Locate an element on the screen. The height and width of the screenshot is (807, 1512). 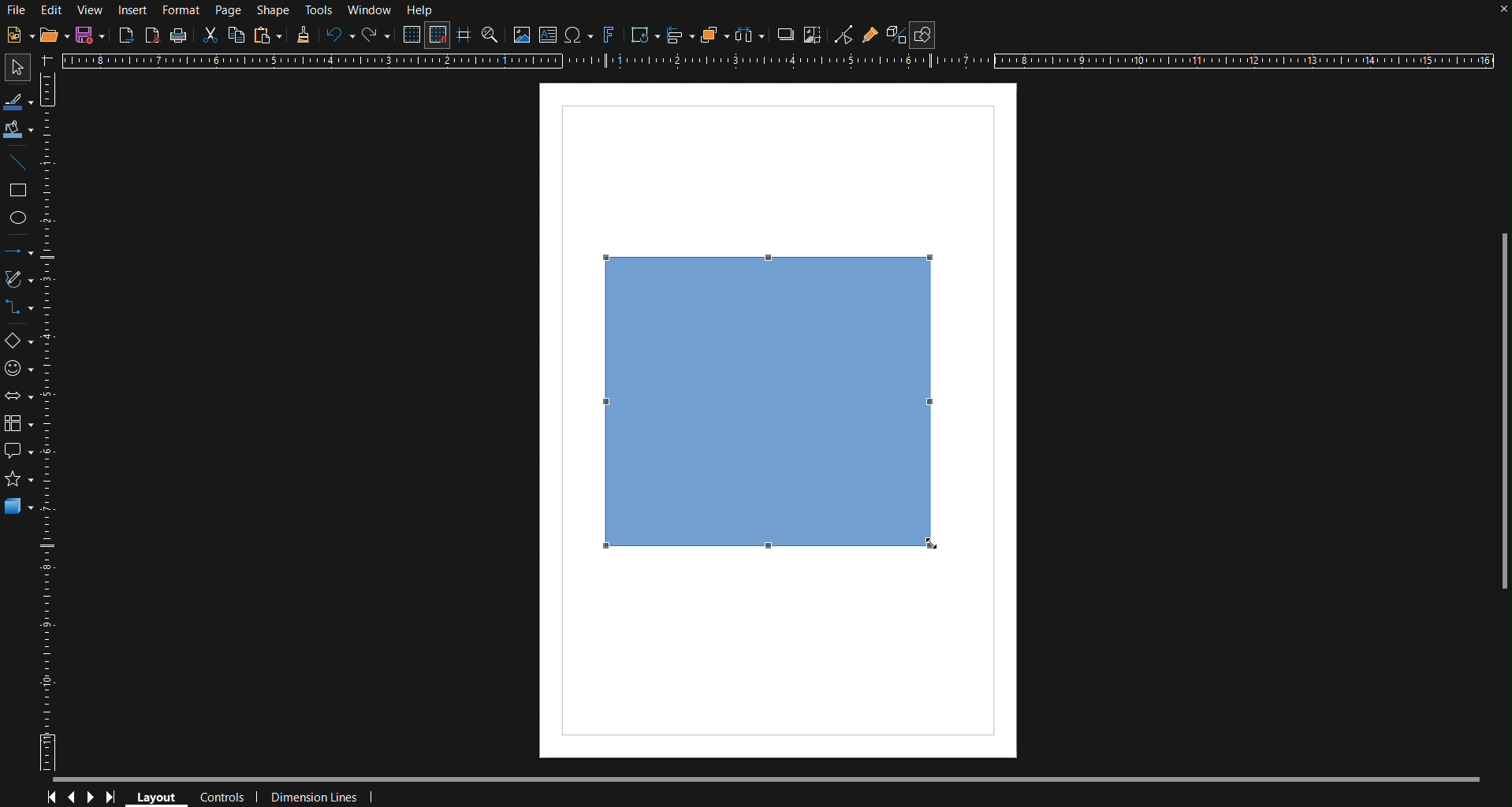
Toggle Extrusion is located at coordinates (897, 34).